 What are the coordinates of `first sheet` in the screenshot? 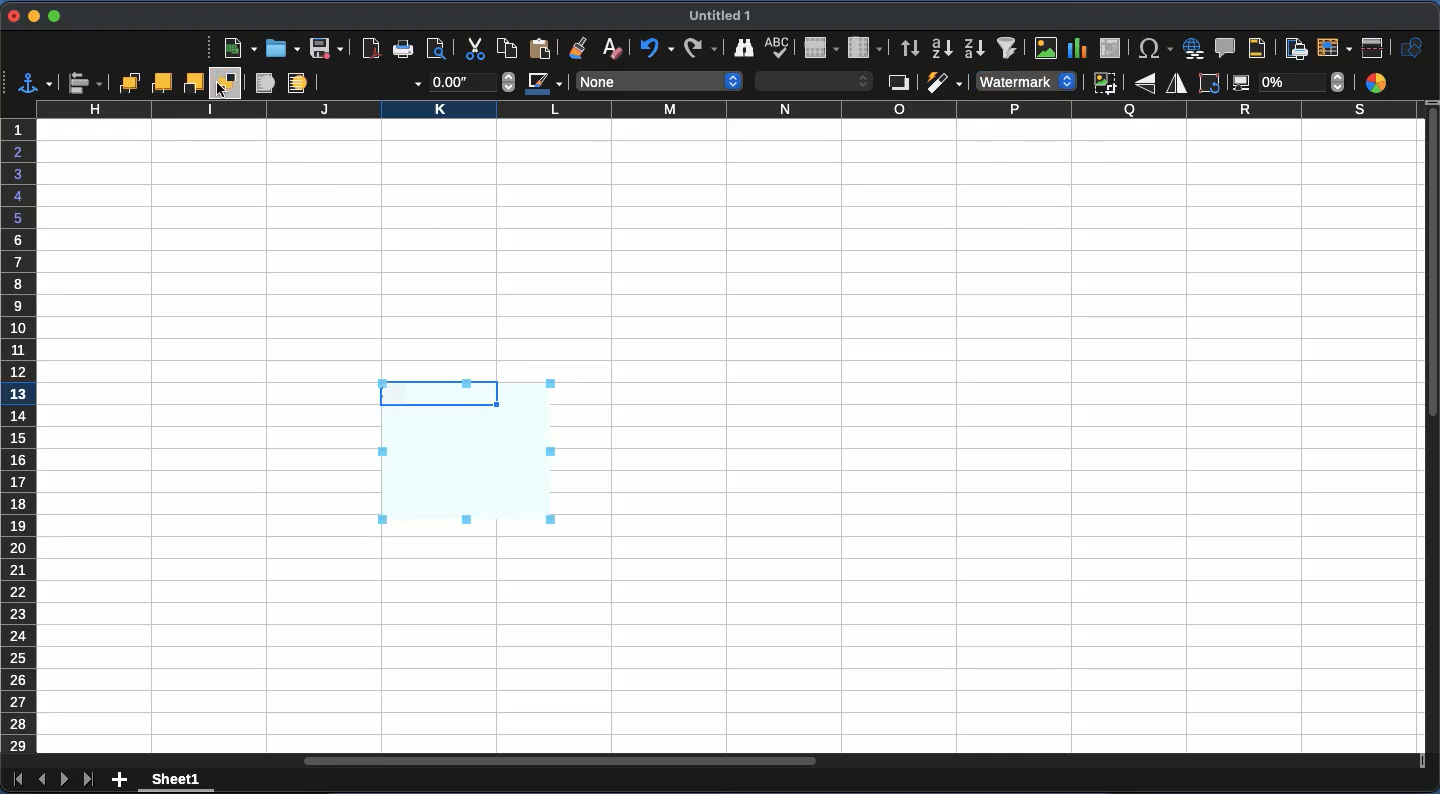 It's located at (17, 783).